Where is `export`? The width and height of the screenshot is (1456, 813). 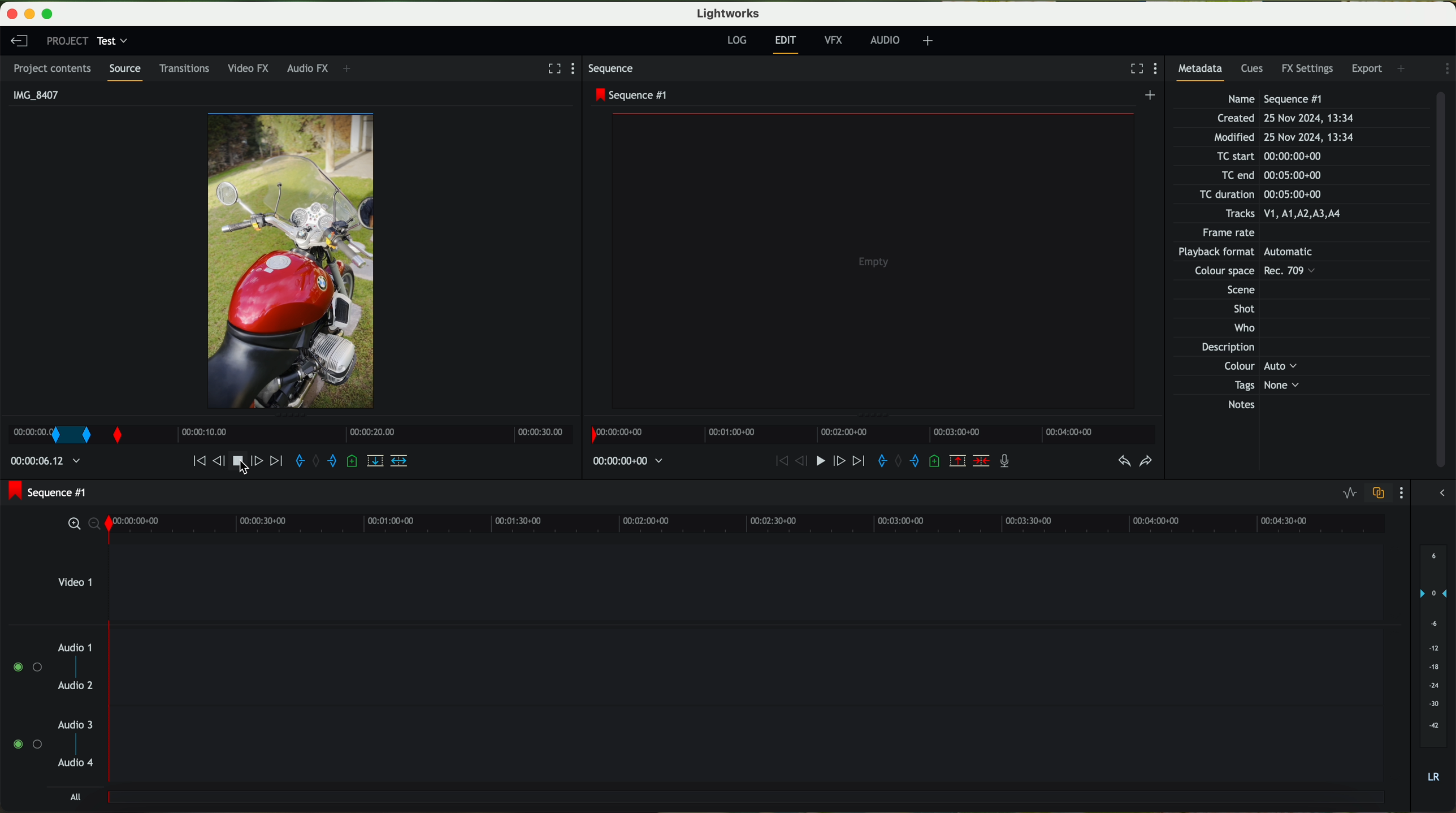 export is located at coordinates (1368, 67).